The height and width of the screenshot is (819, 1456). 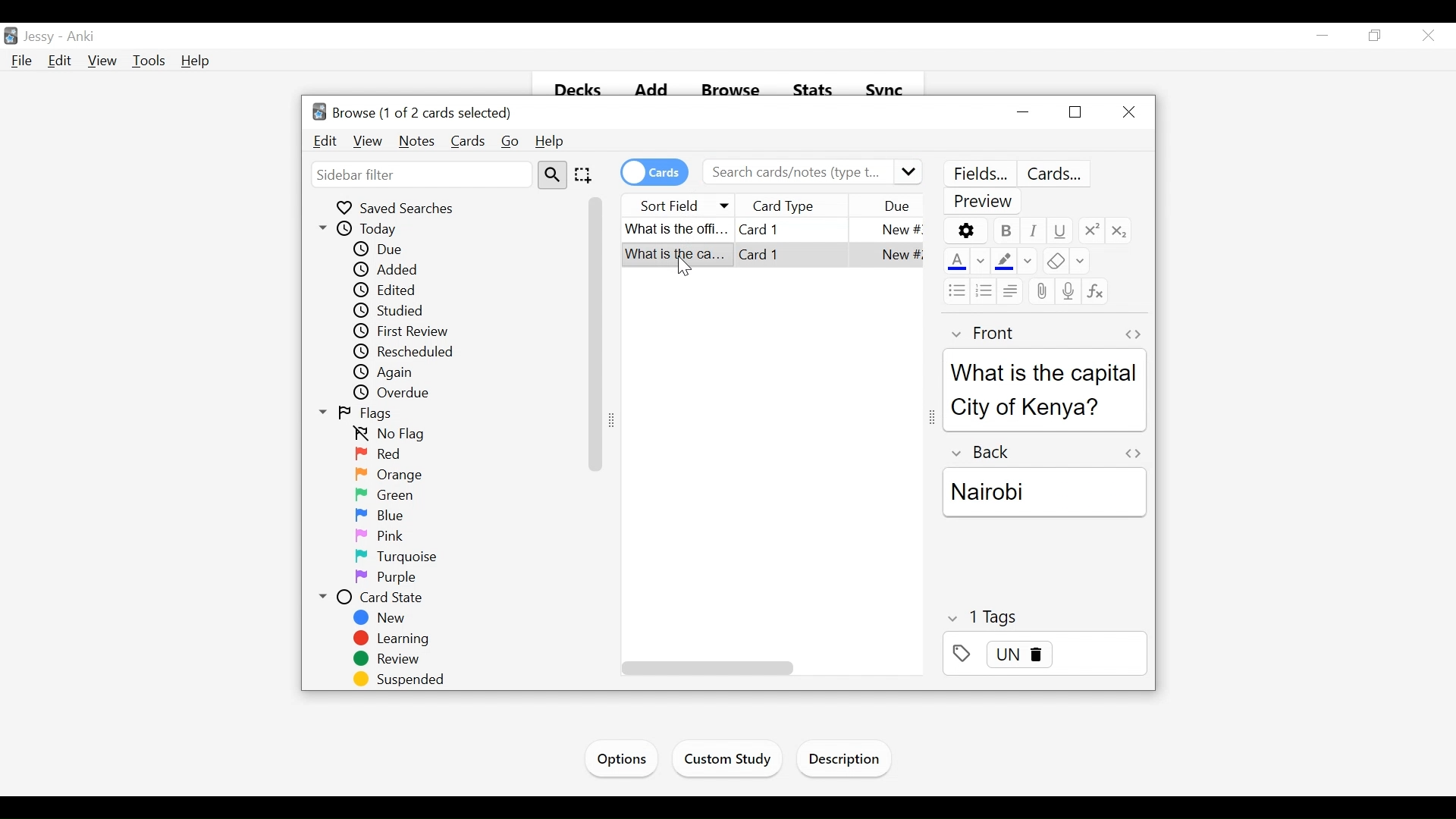 What do you see at coordinates (1132, 334) in the screenshot?
I see `Toggle HTML Editor` at bounding box center [1132, 334].